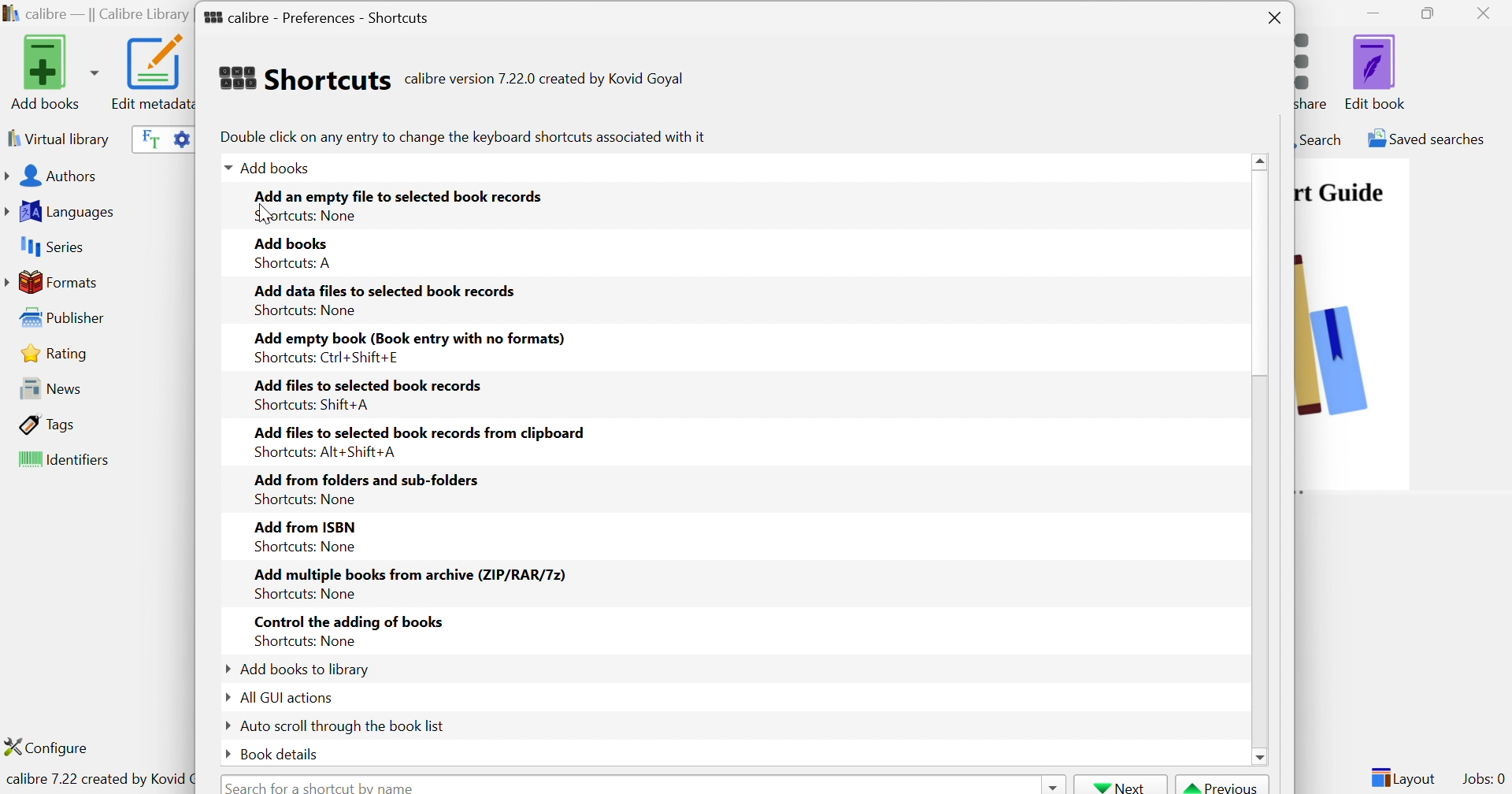  I want to click on Drop Down, so click(223, 669).